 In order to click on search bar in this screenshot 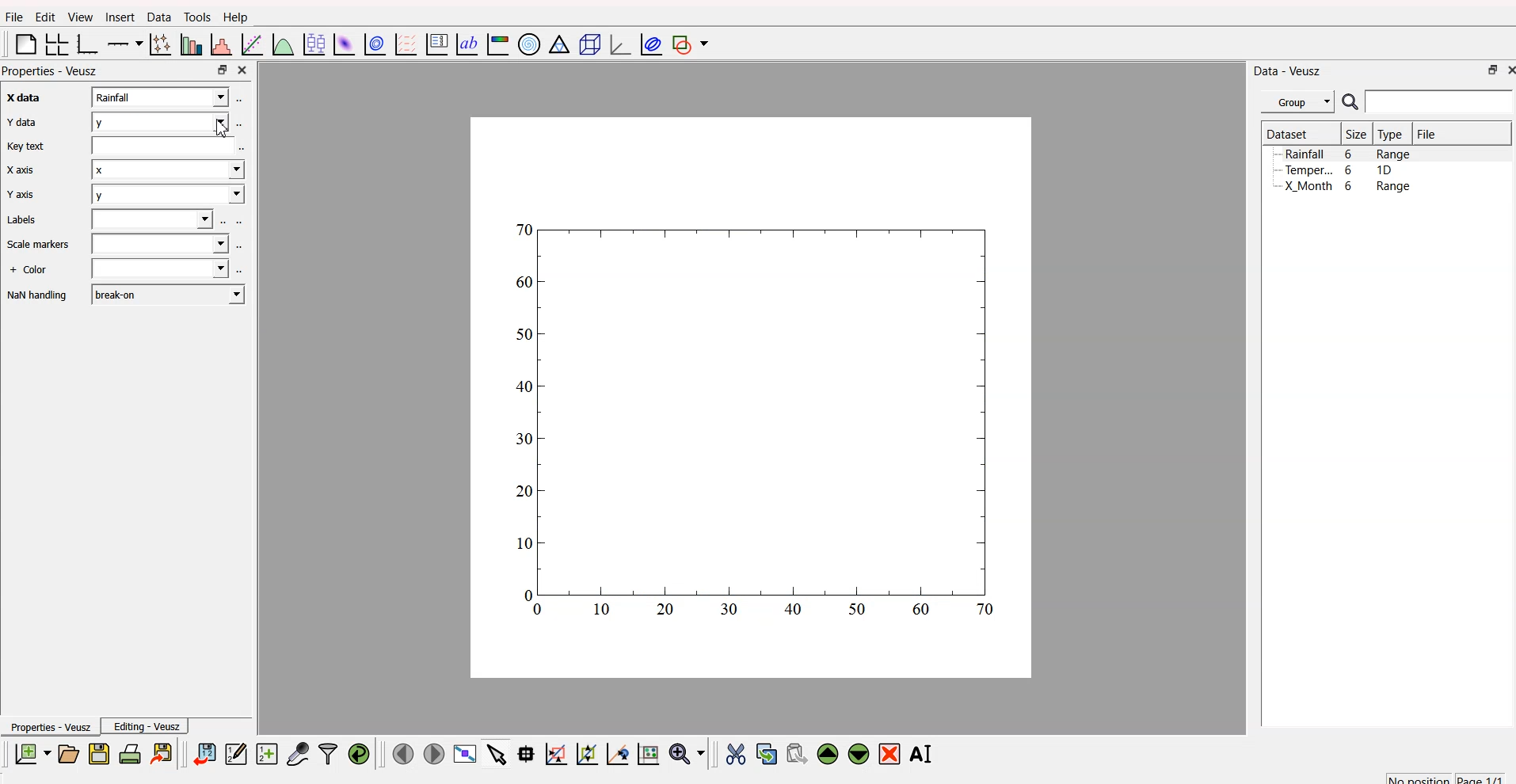, I will do `click(1442, 104)`.